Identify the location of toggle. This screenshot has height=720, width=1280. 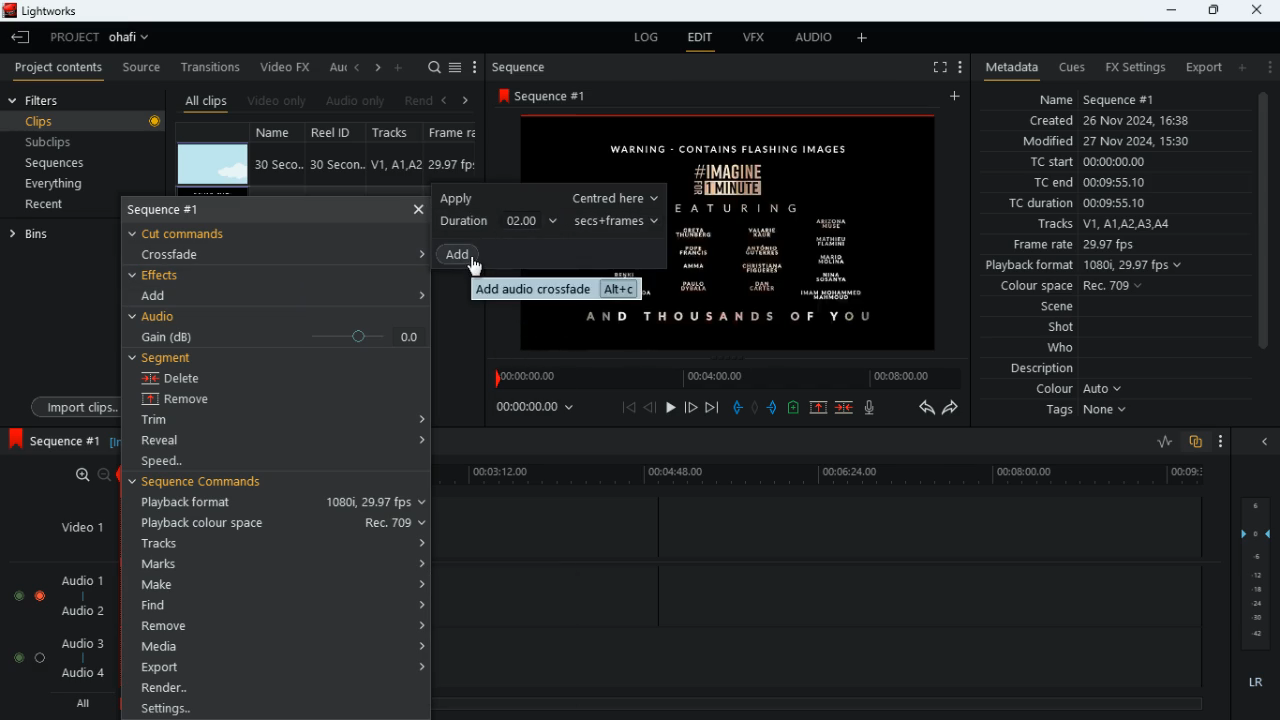
(41, 657).